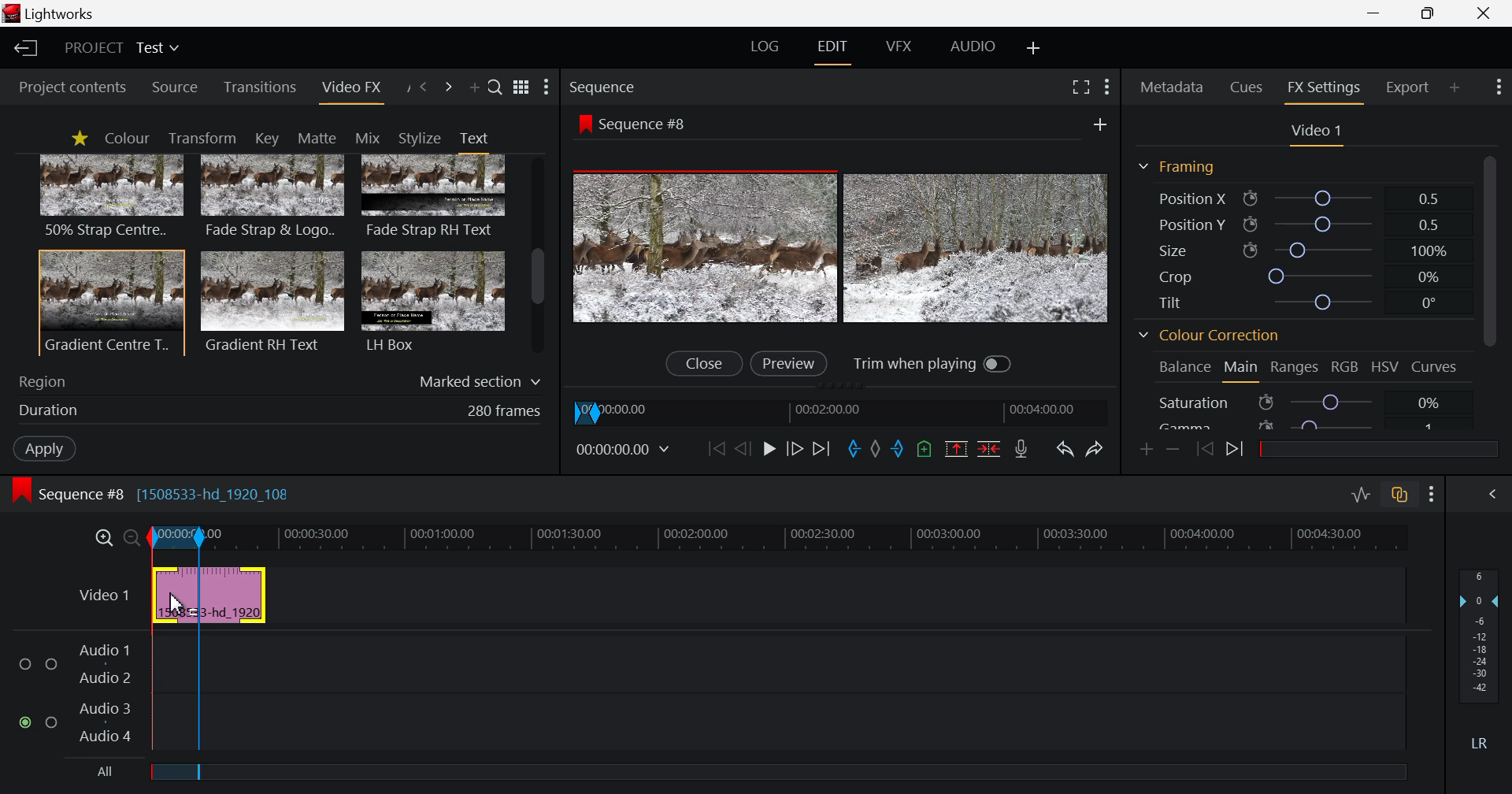 This screenshot has height=794, width=1512. What do you see at coordinates (162, 493) in the screenshot?
I see `Sequence #8 [1508533-hd_1920_108` at bounding box center [162, 493].